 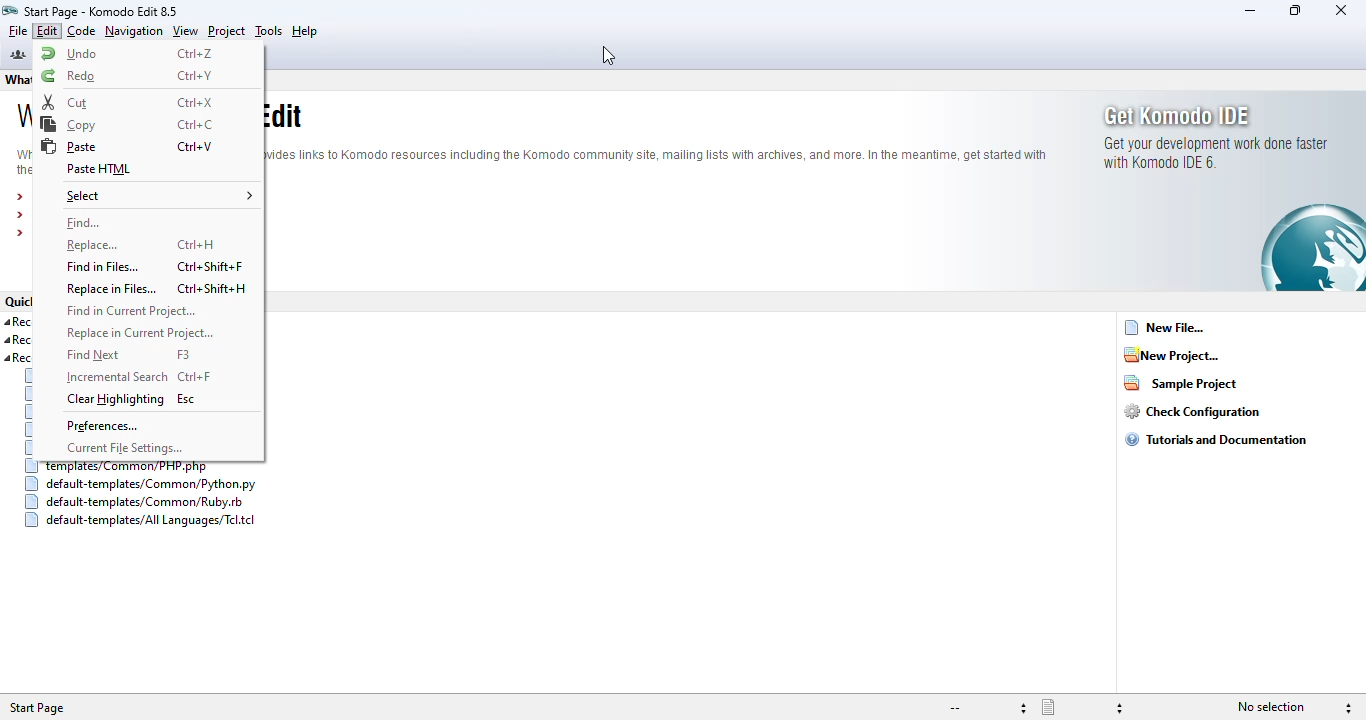 I want to click on redo, so click(x=69, y=77).